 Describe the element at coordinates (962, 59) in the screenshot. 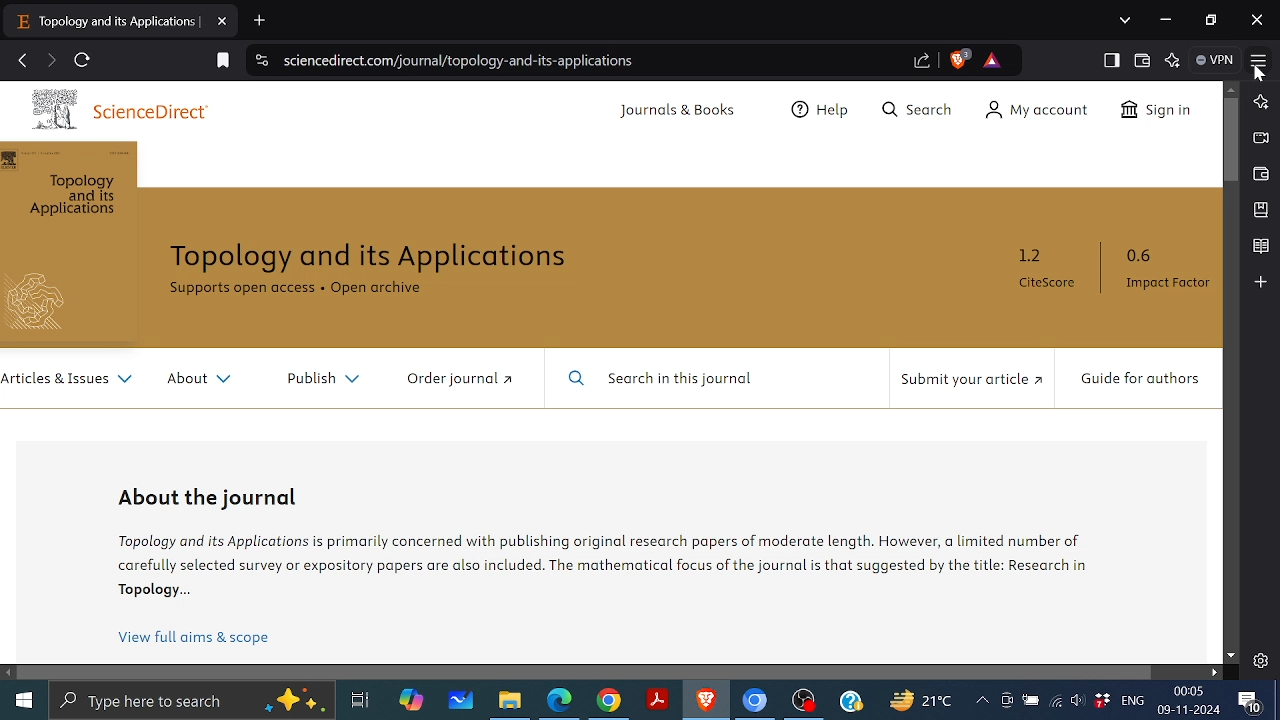

I see `Brave shields` at that location.